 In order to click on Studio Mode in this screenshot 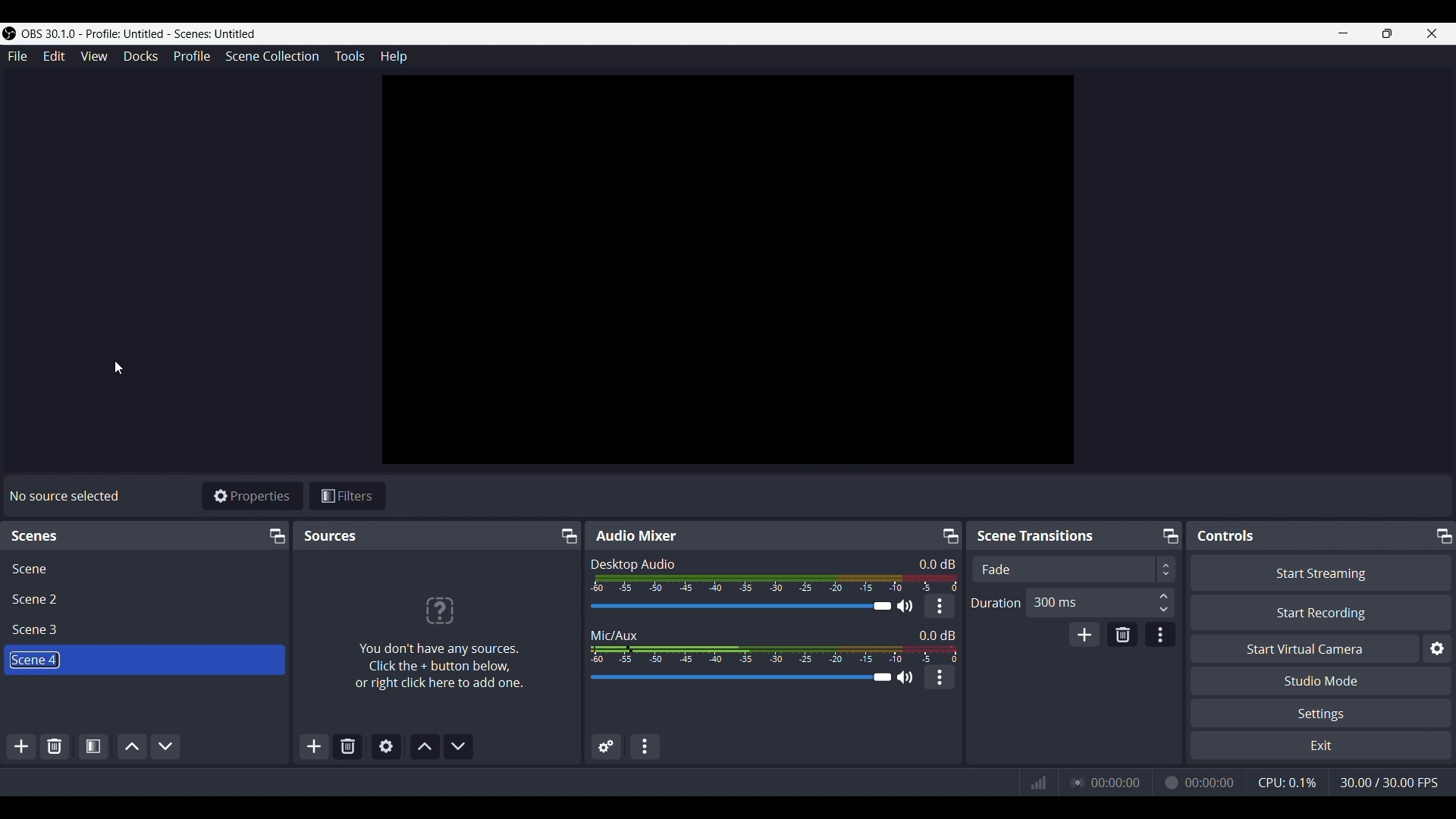, I will do `click(1322, 680)`.